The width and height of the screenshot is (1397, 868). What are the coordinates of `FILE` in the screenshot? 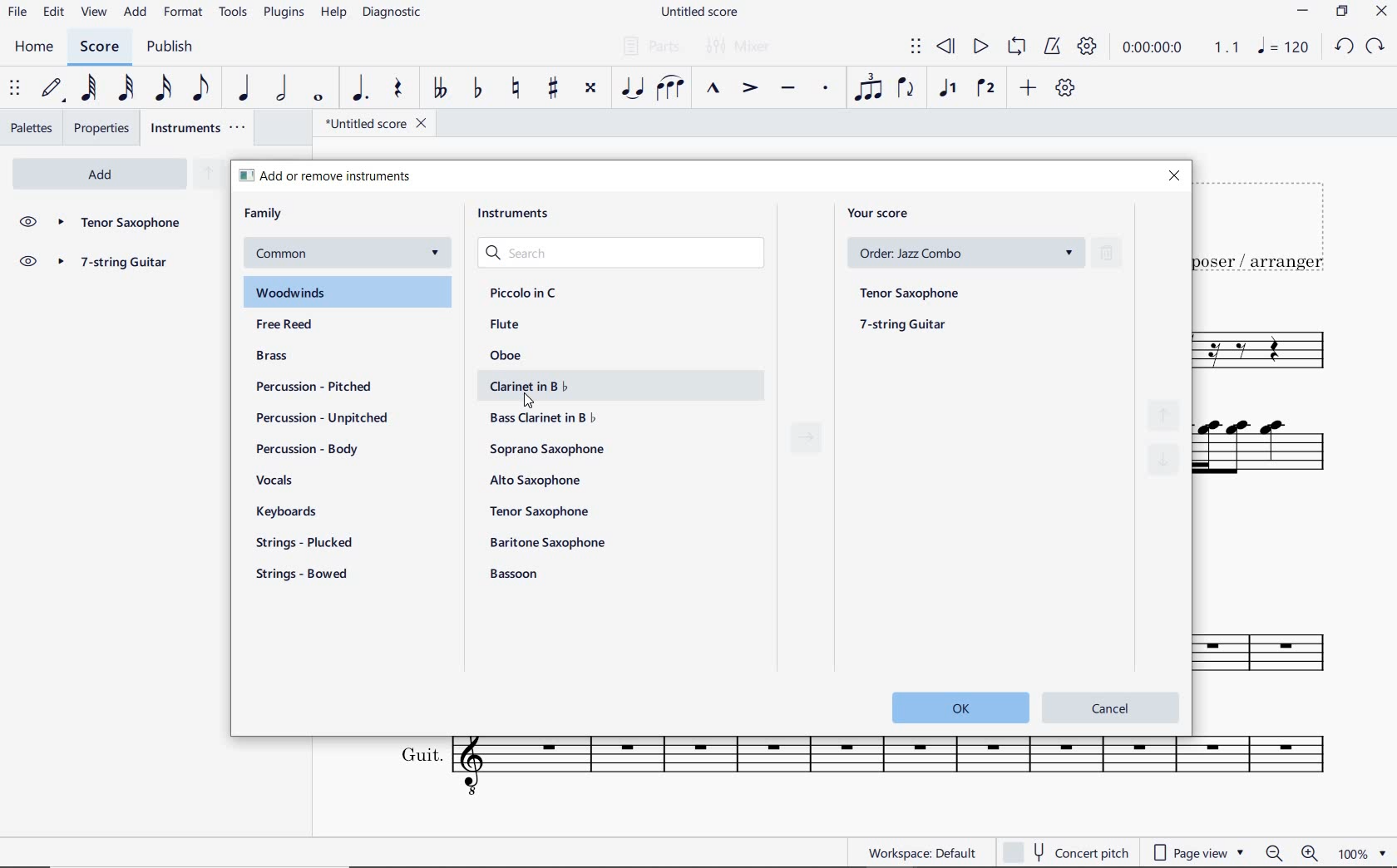 It's located at (17, 11).